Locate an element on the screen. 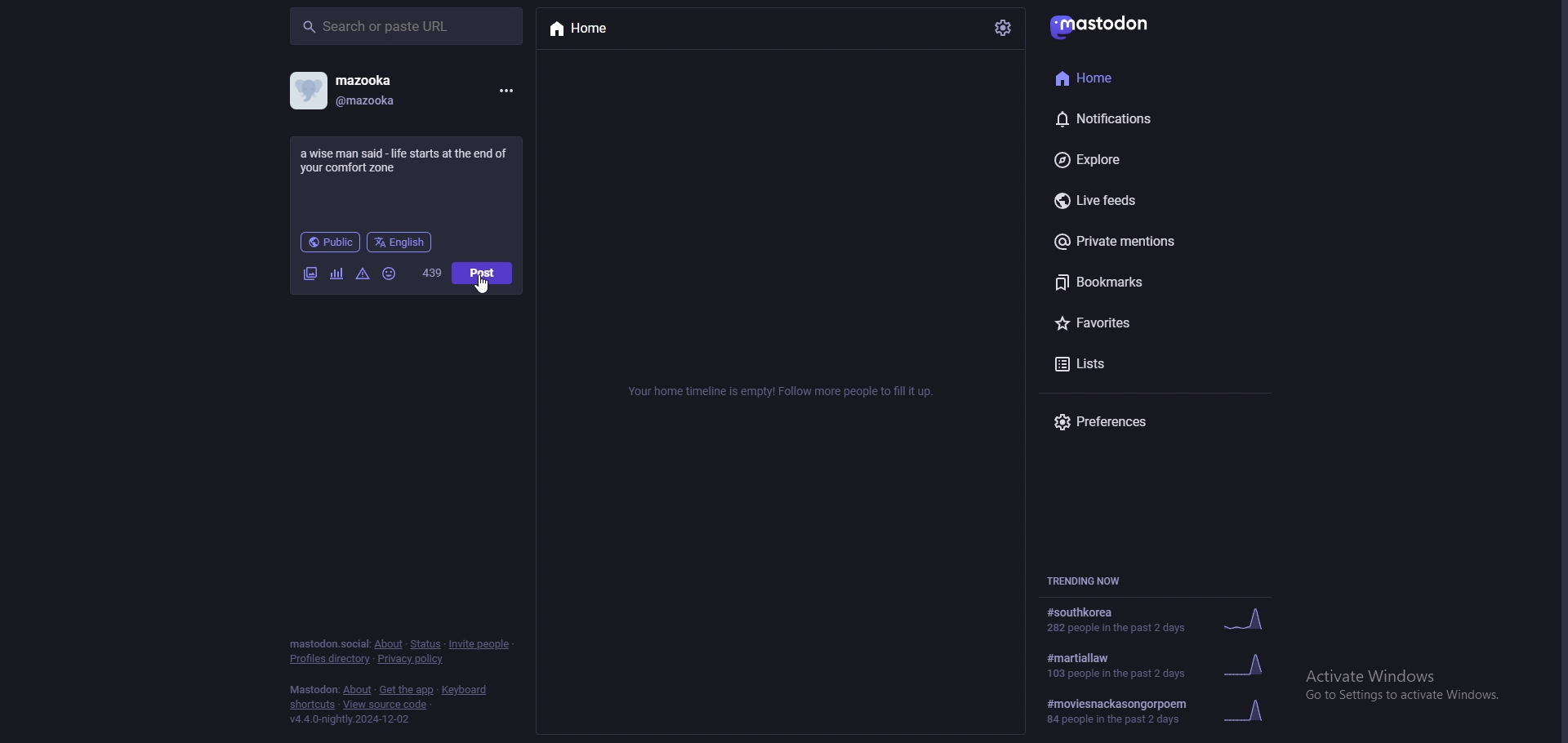  keyboard is located at coordinates (467, 690).